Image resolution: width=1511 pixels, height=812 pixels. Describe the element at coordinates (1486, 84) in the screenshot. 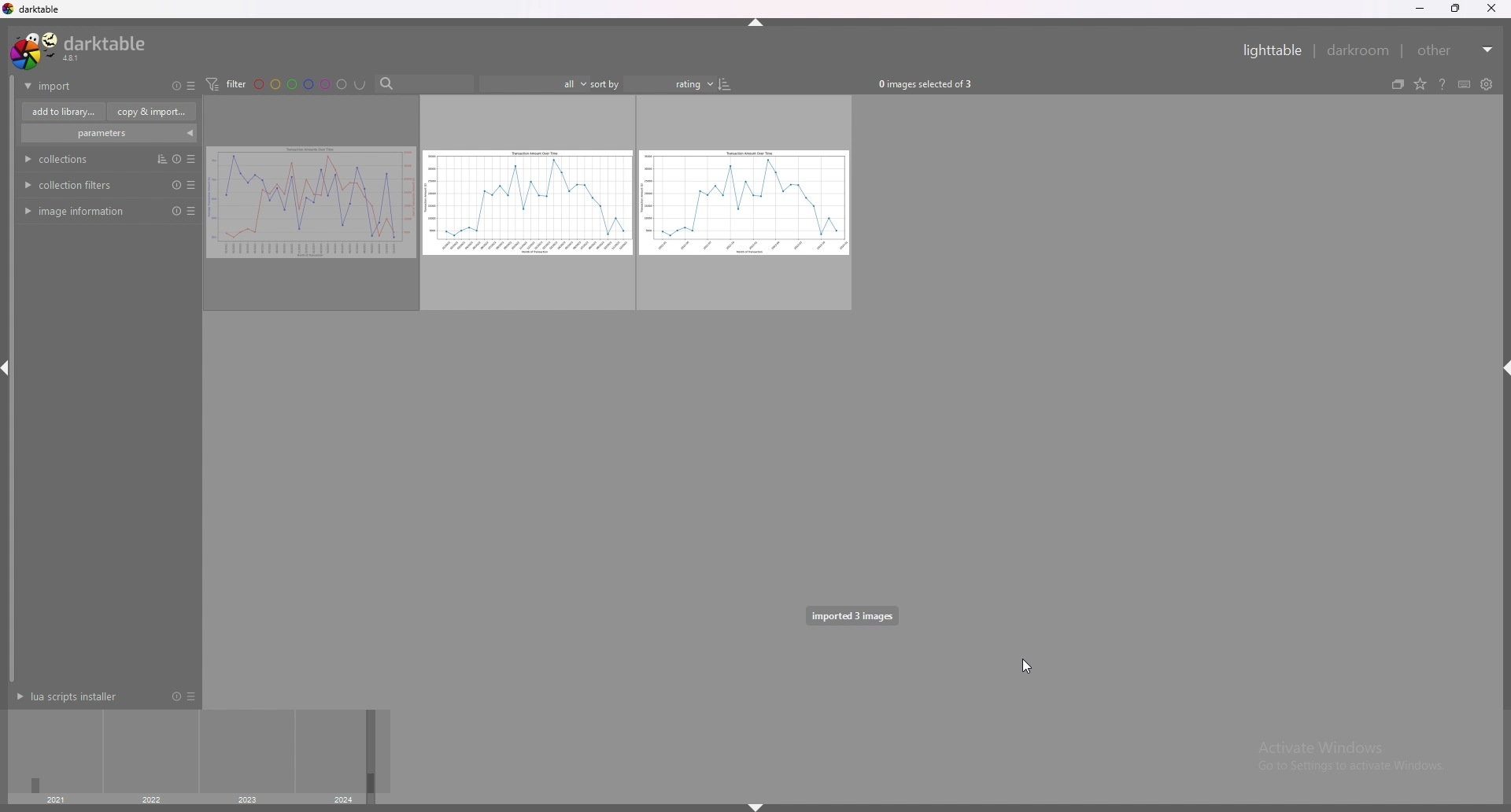

I see `show global preferences` at that location.